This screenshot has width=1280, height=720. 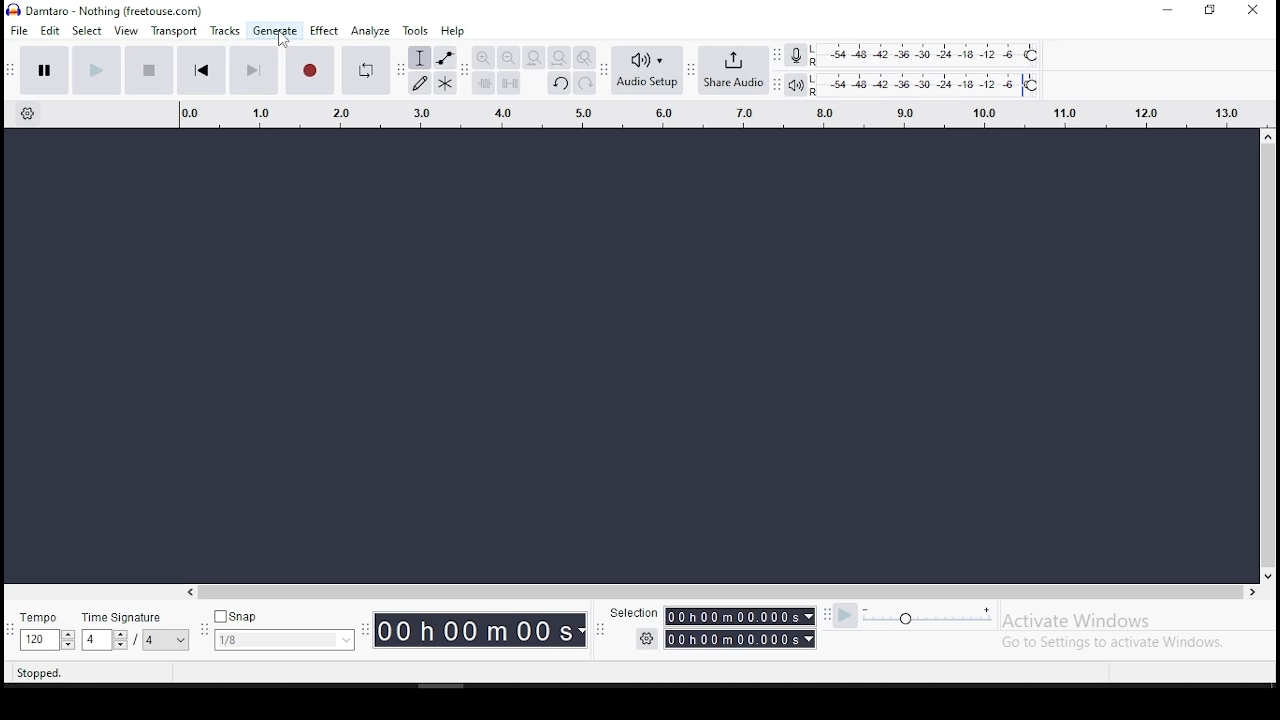 I want to click on trim audio outside selection, so click(x=483, y=83).